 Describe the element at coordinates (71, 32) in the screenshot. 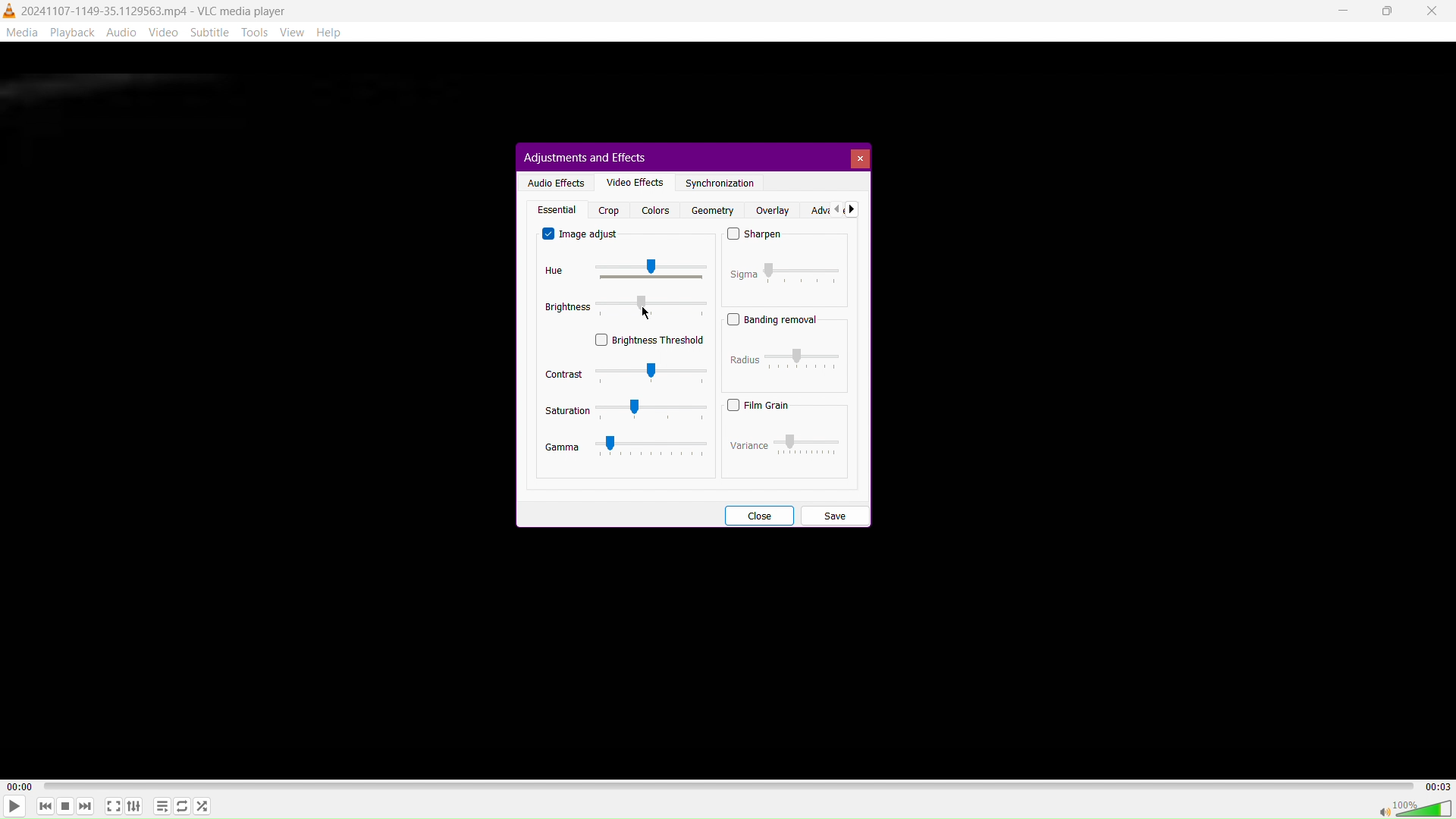

I see `Playback` at that location.